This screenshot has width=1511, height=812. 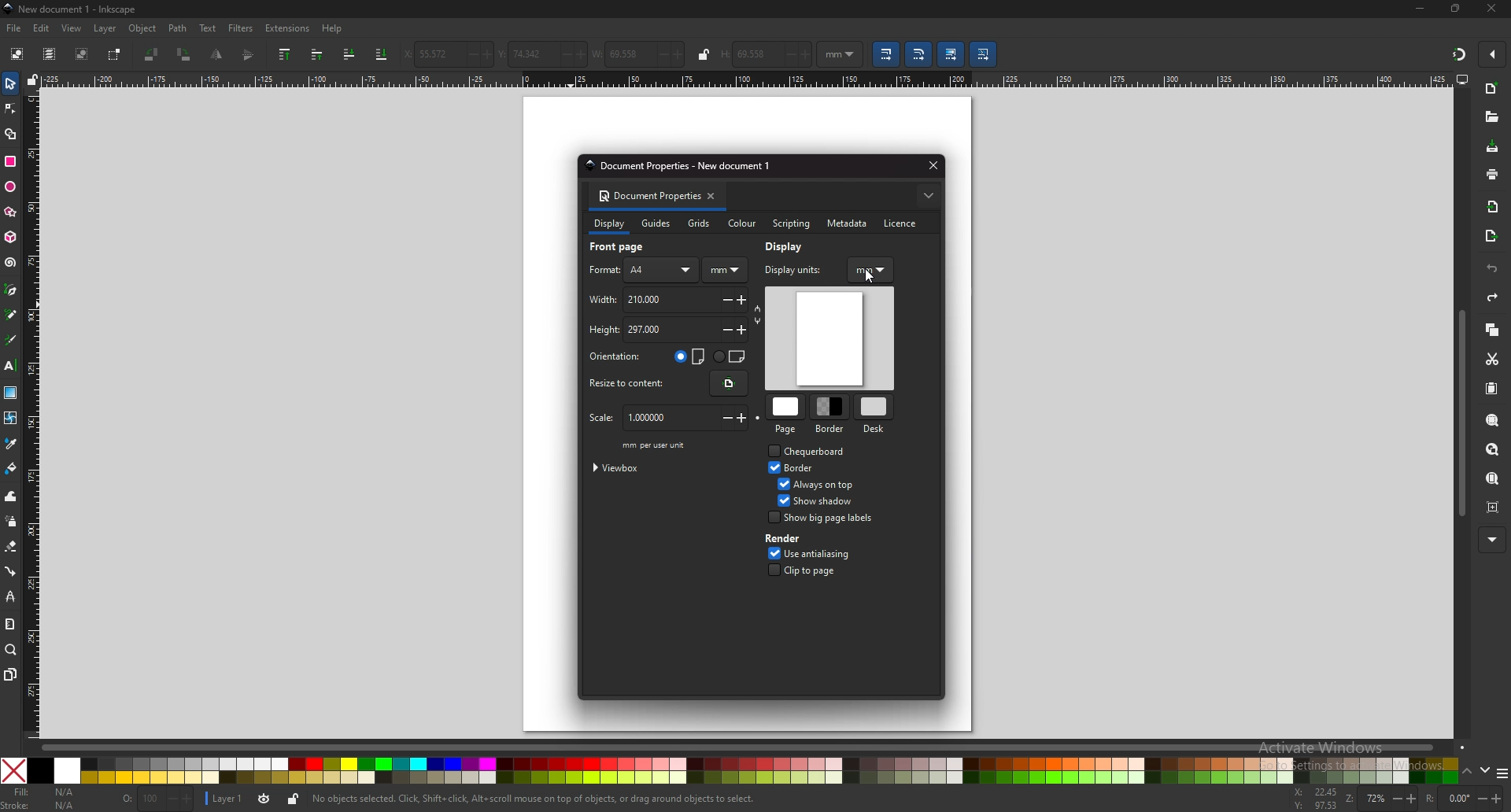 What do you see at coordinates (682, 166) in the screenshot?
I see `document properties - New document 1` at bounding box center [682, 166].